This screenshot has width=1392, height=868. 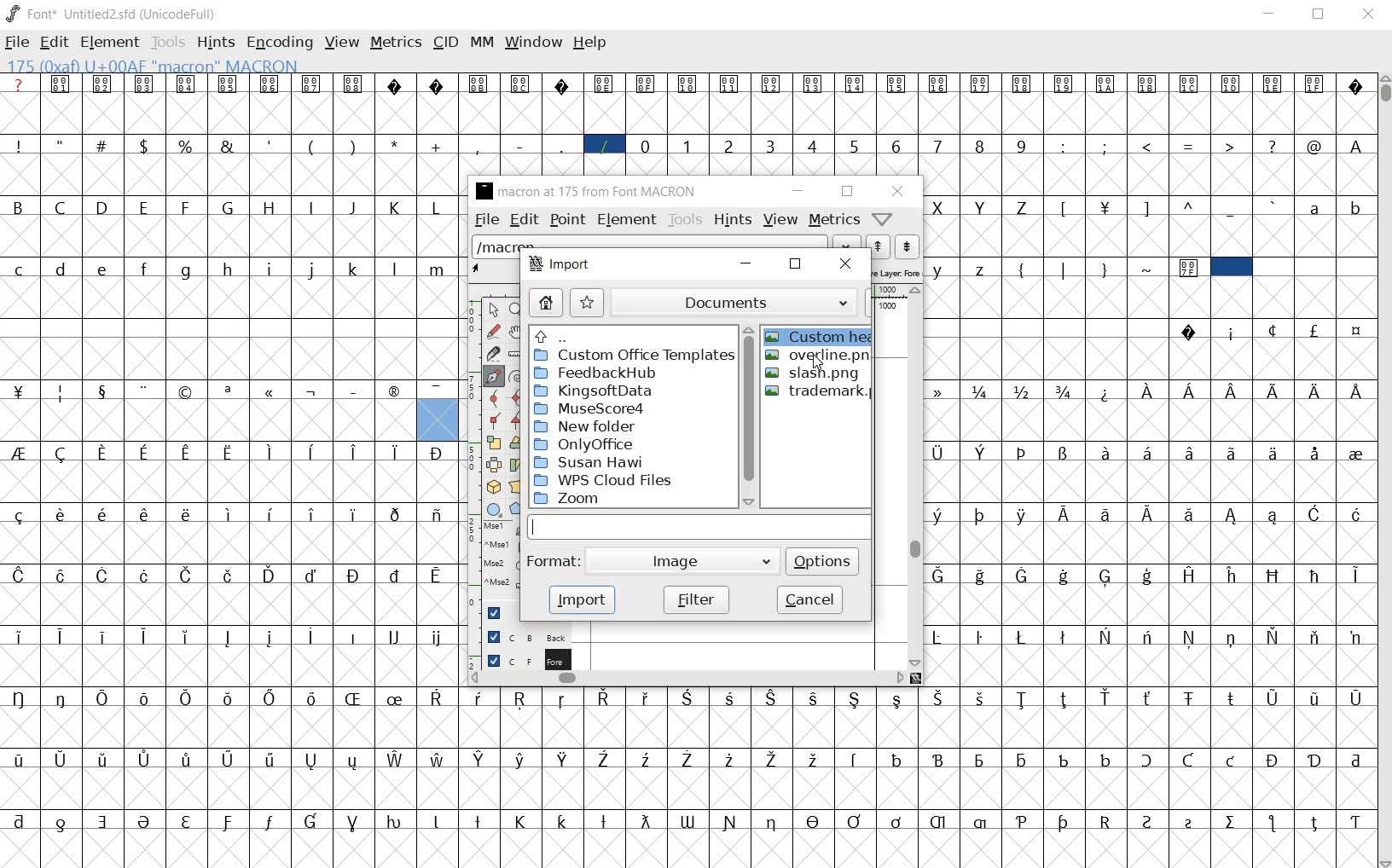 What do you see at coordinates (815, 820) in the screenshot?
I see `Symbol` at bounding box center [815, 820].